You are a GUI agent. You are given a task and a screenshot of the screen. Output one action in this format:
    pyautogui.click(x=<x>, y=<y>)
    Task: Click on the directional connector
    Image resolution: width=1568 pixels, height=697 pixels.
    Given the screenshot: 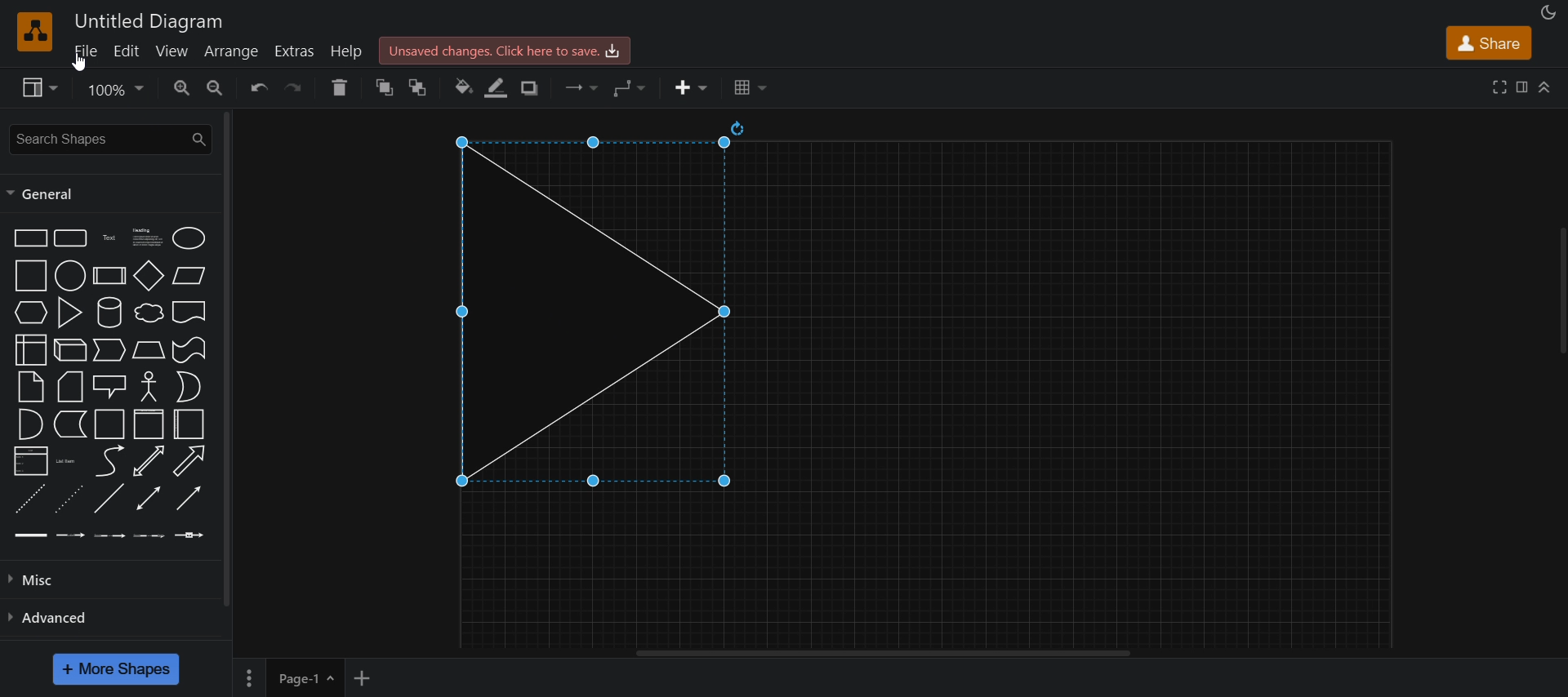 What is the action you would take?
    pyautogui.click(x=187, y=498)
    